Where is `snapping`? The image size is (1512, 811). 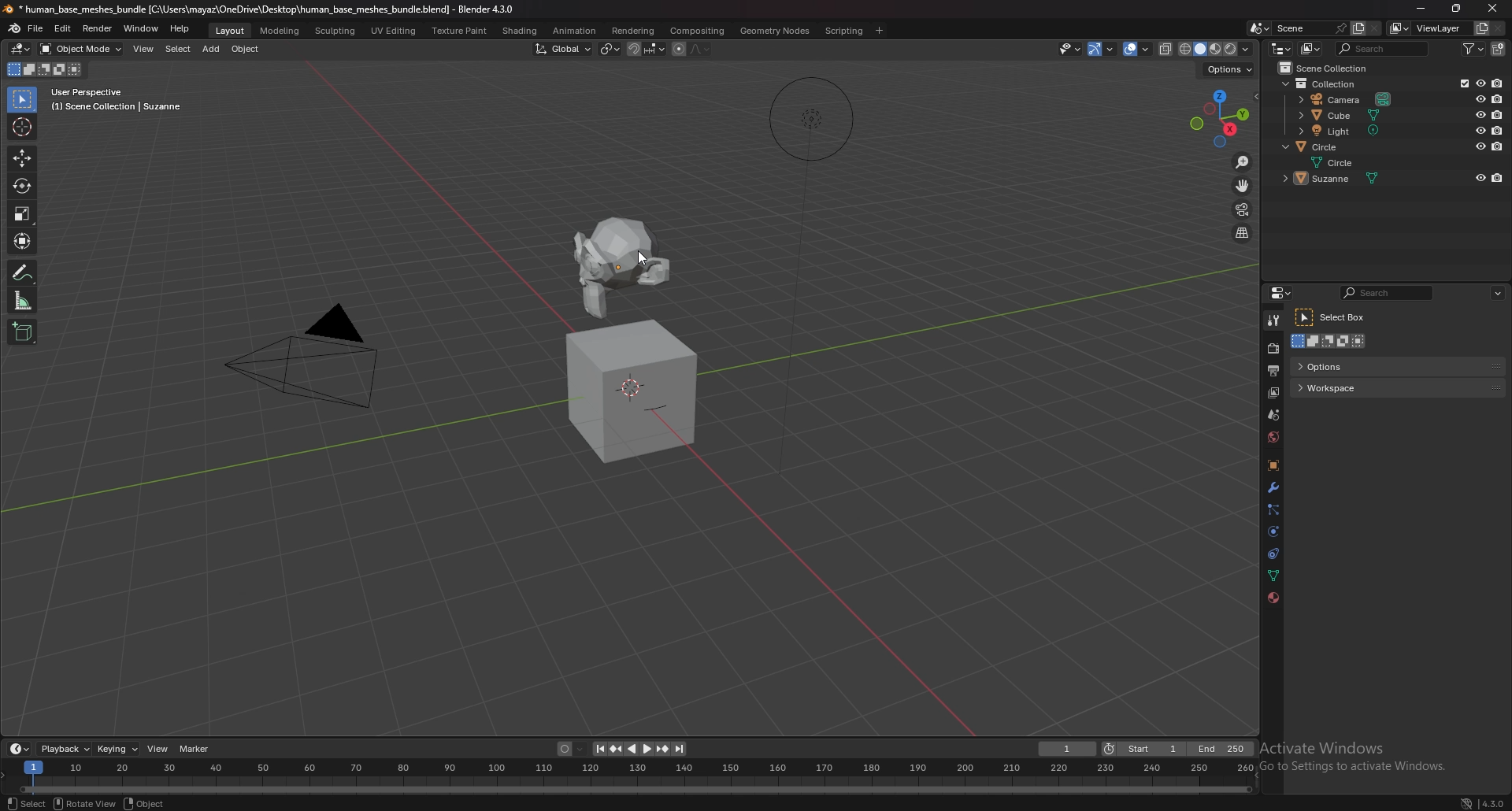
snapping is located at coordinates (646, 49).